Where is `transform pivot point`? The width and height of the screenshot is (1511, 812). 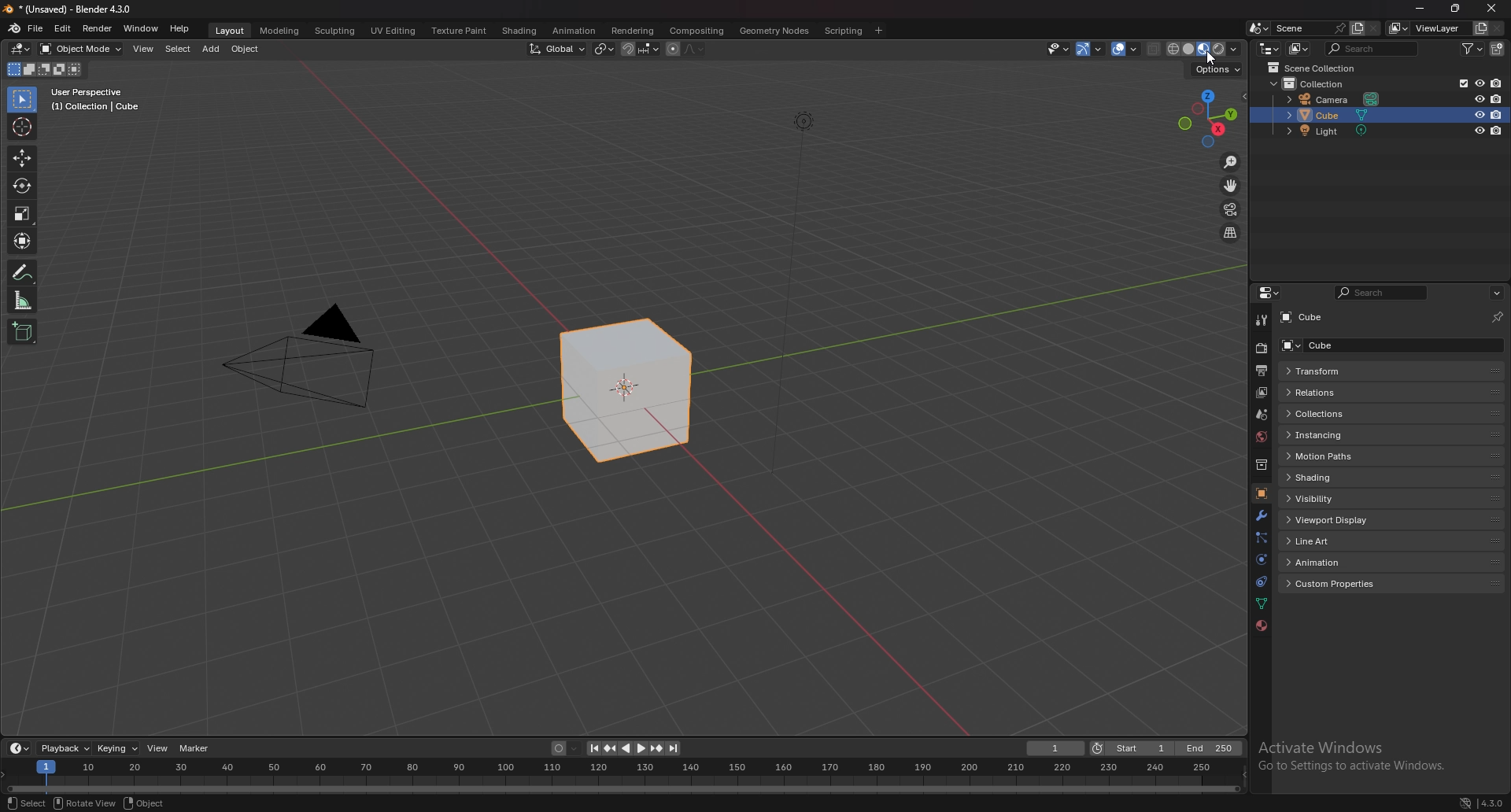
transform pivot point is located at coordinates (605, 50).